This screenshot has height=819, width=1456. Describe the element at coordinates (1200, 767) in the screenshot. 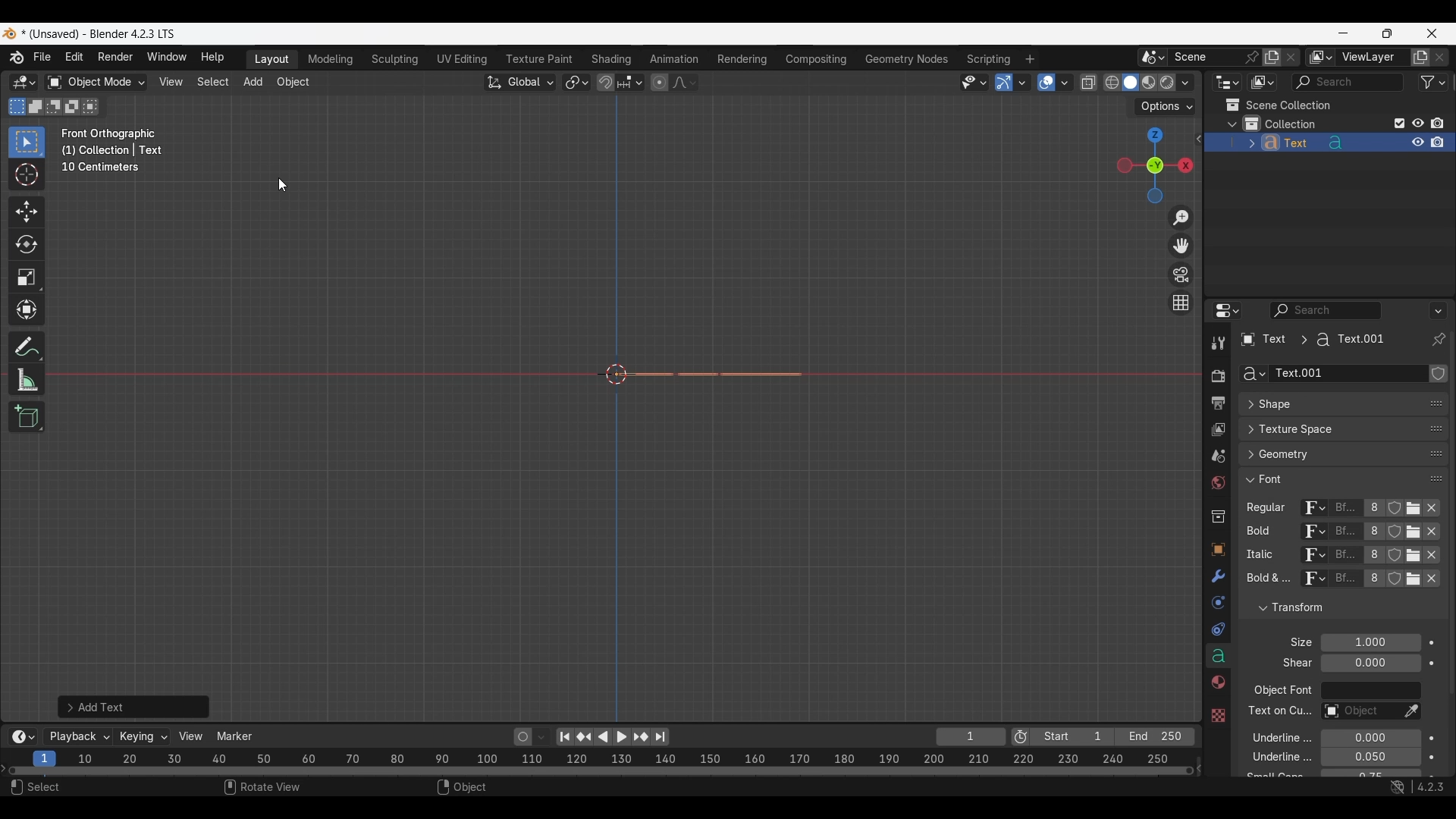

I see `Decrease frames space` at that location.